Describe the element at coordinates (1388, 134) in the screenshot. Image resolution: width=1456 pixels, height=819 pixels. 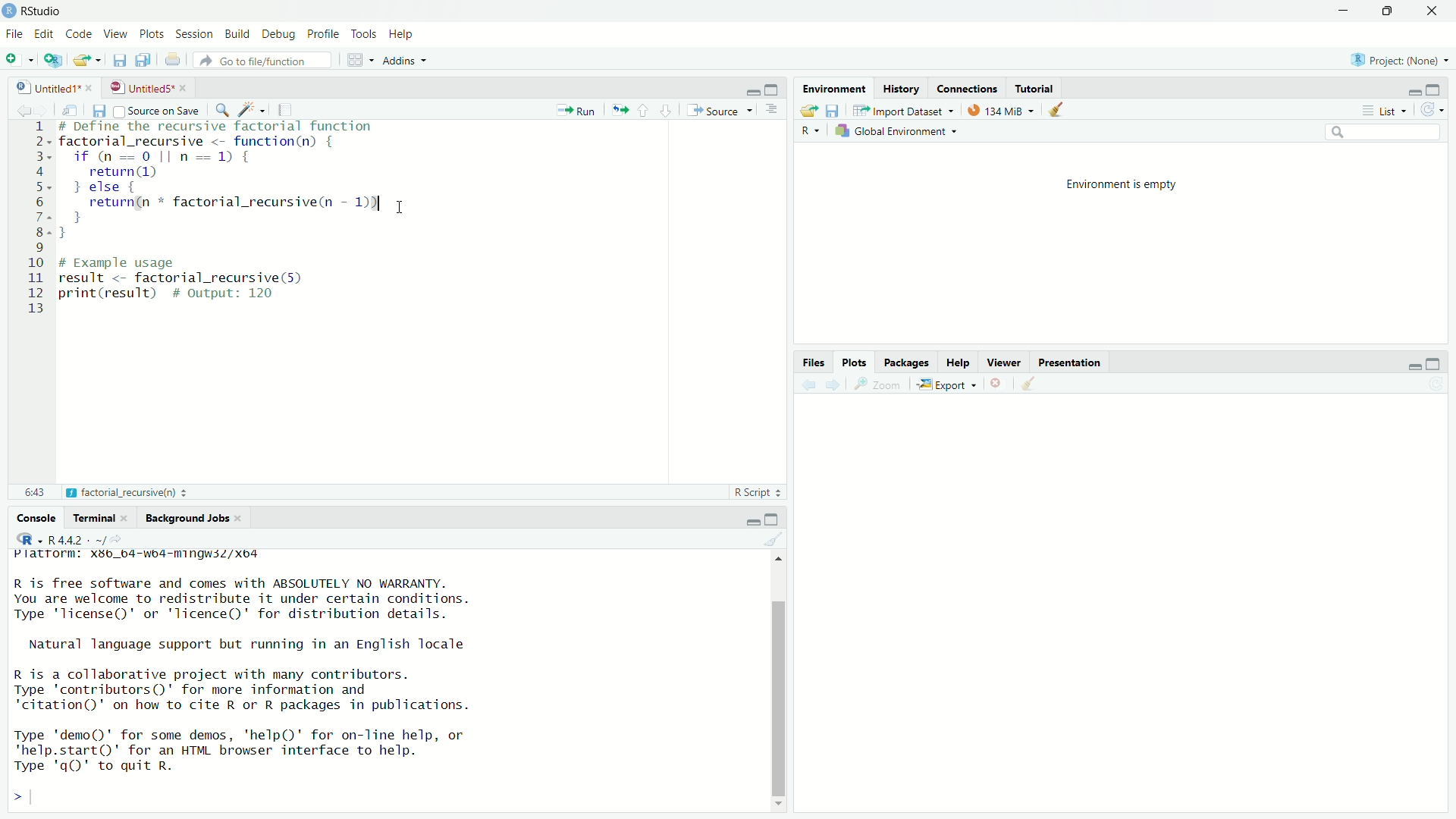
I see `Search bar` at that location.